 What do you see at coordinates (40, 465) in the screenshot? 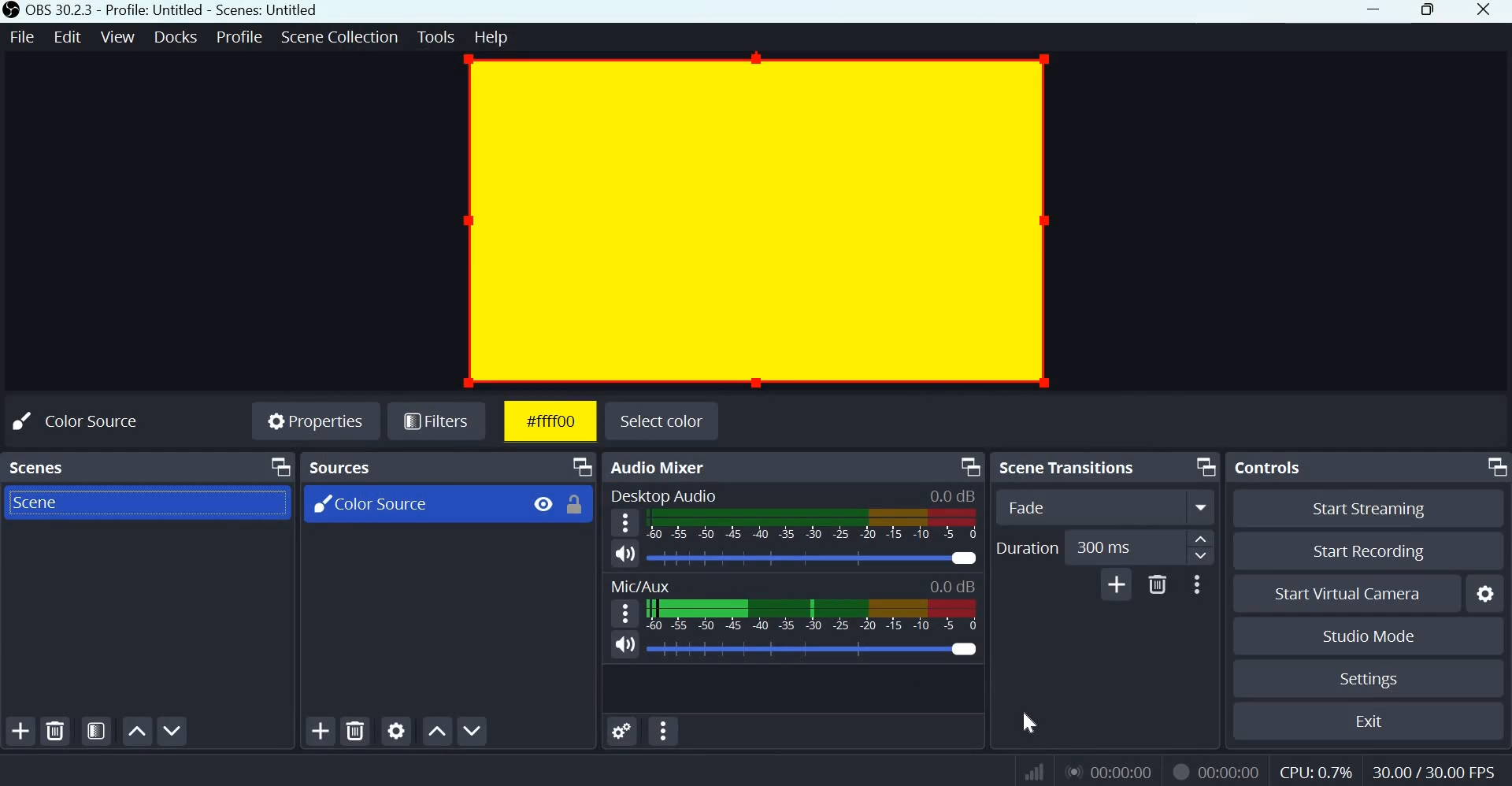
I see `scenes` at bounding box center [40, 465].